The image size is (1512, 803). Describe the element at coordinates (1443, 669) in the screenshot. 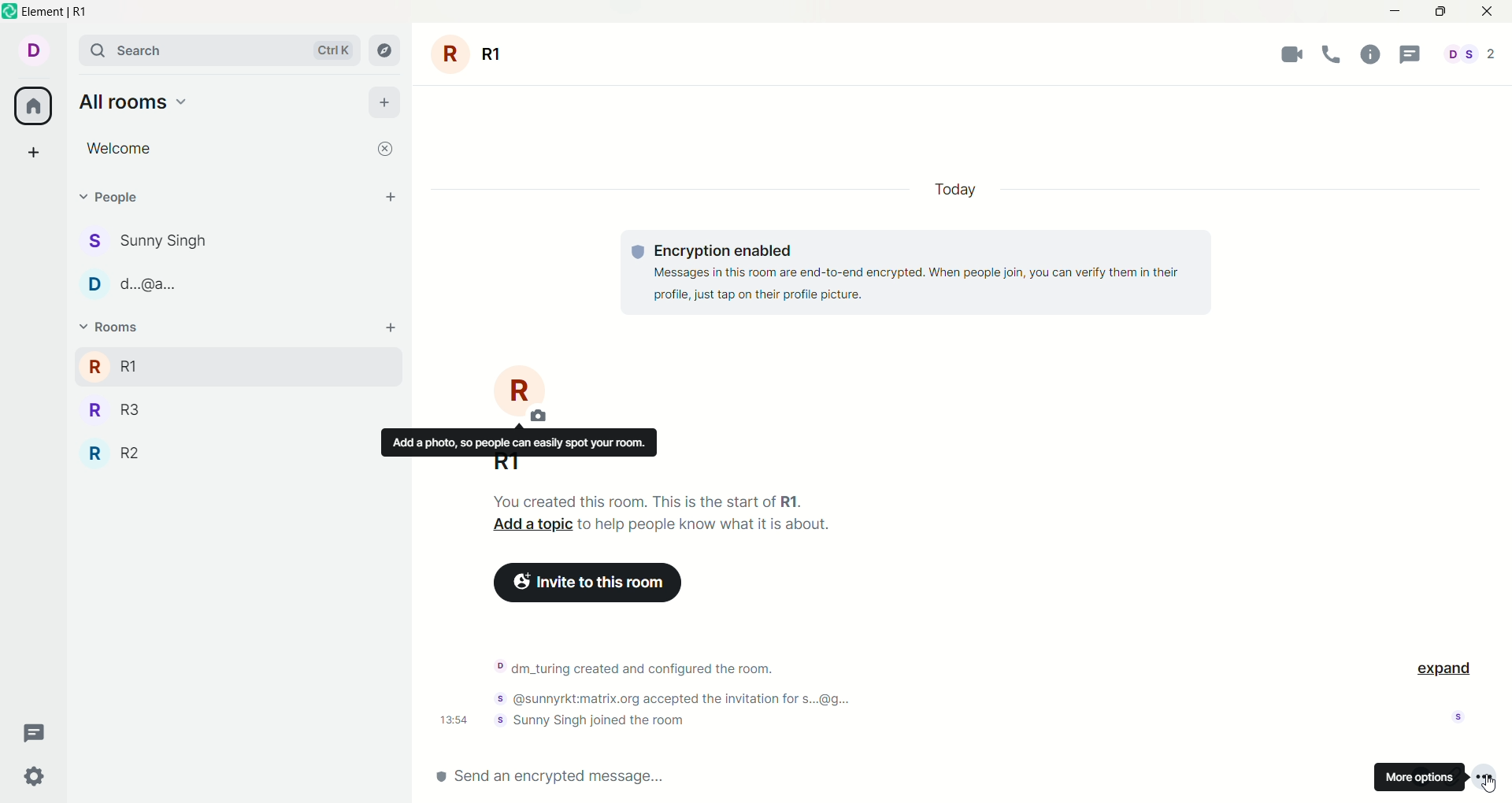

I see `expand` at that location.